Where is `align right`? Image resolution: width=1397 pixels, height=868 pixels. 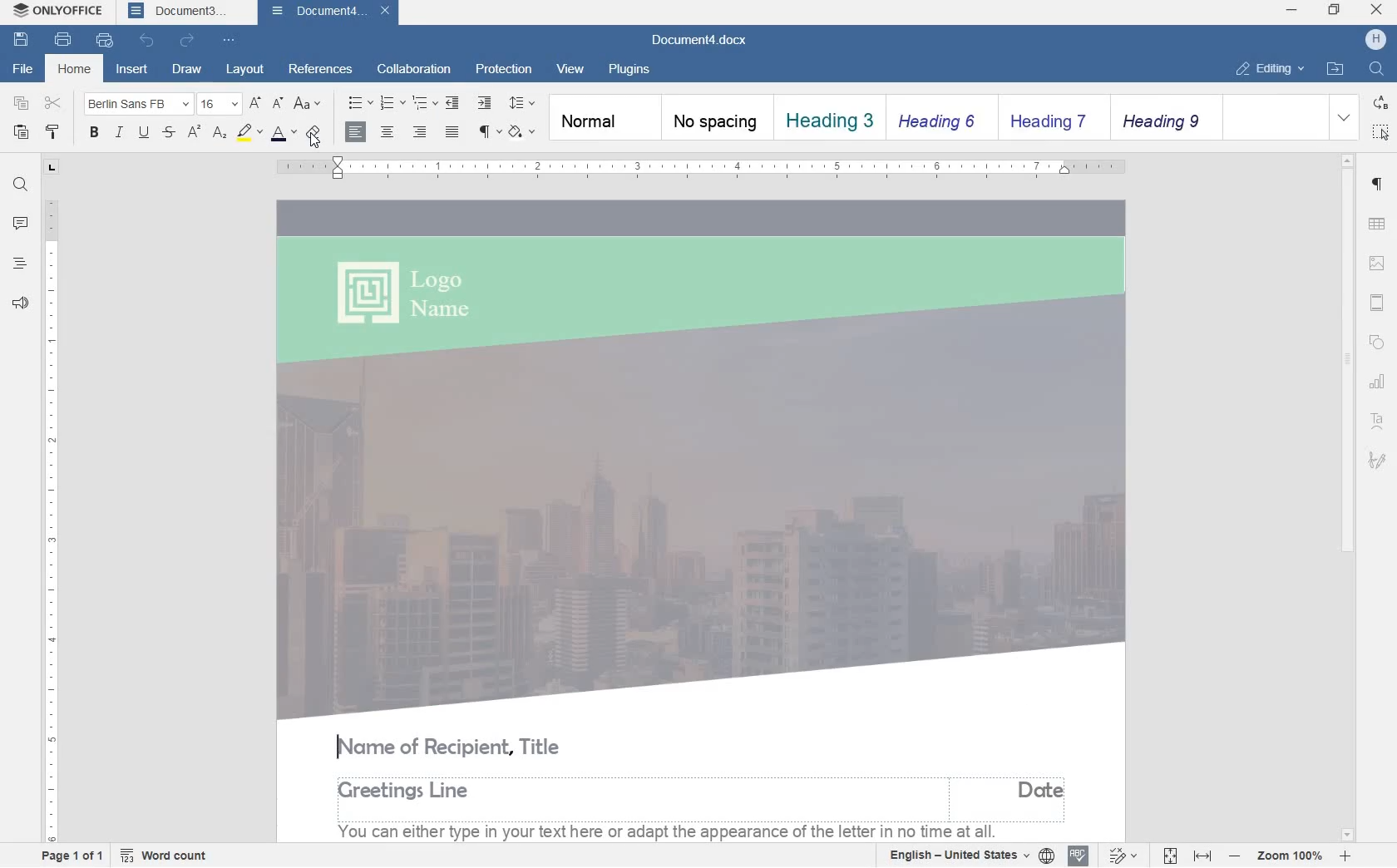
align right is located at coordinates (419, 132).